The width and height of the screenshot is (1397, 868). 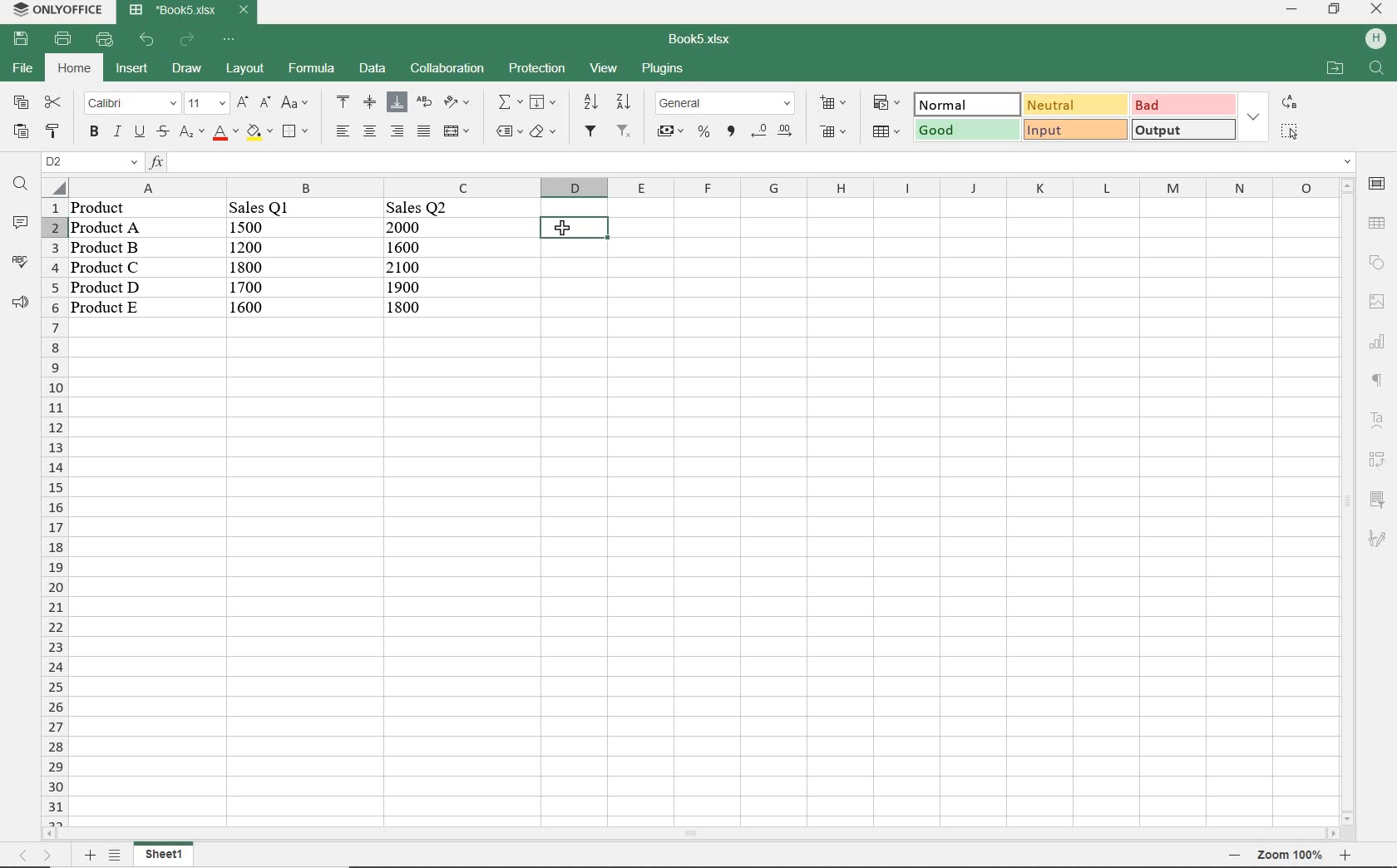 I want to click on hp, so click(x=1377, y=40).